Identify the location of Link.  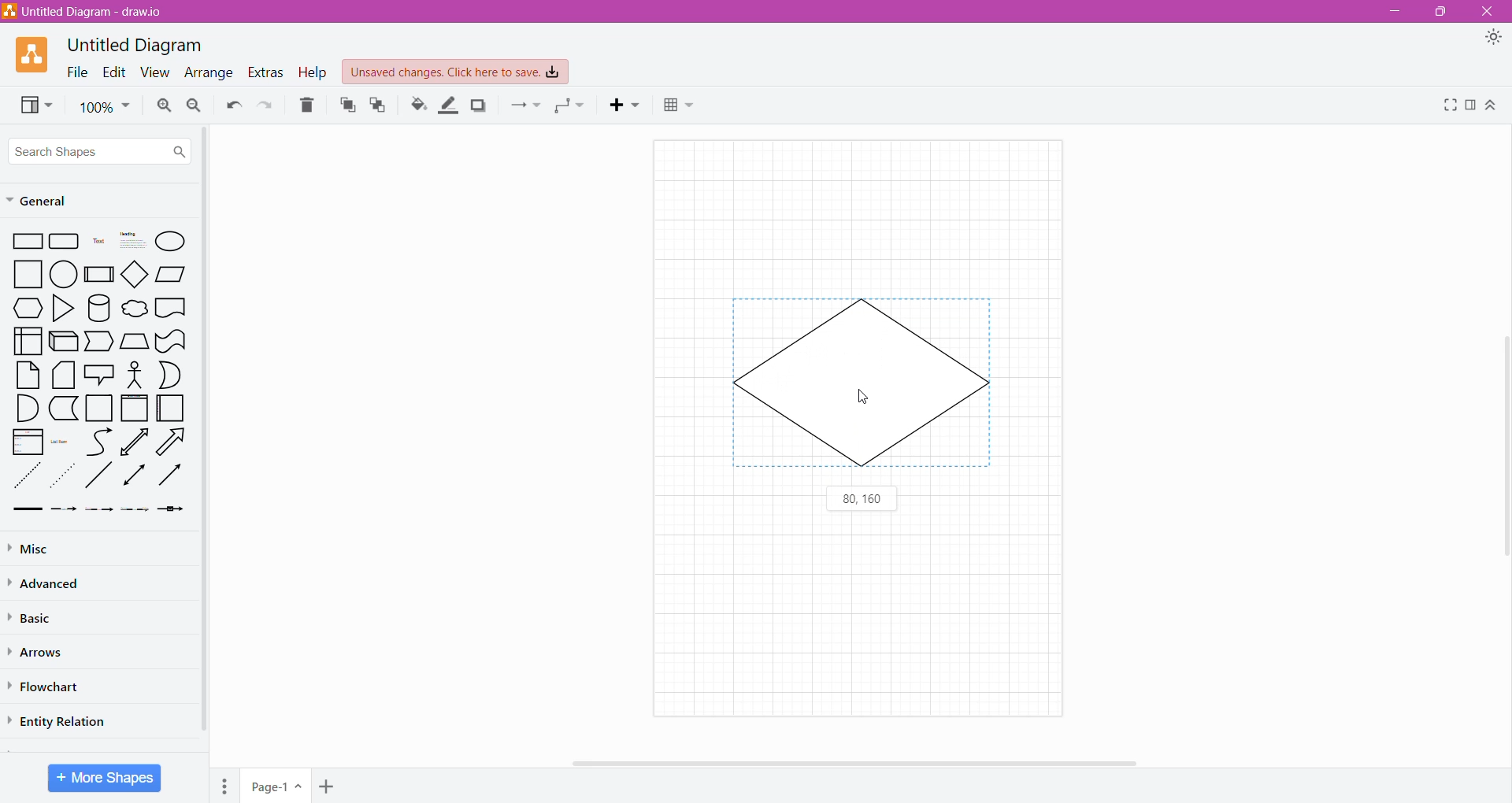
(27, 510).